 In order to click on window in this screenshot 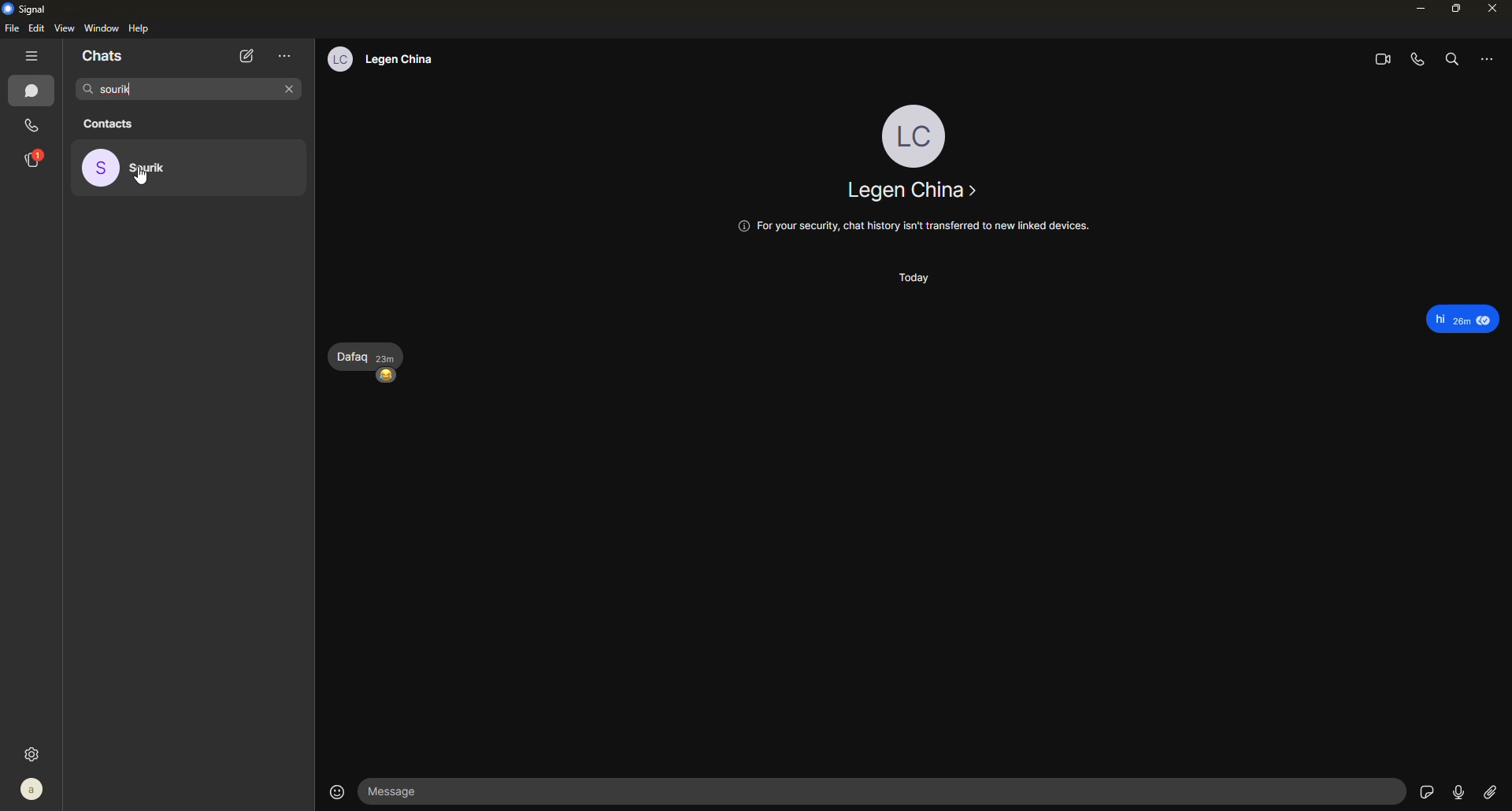, I will do `click(102, 28)`.